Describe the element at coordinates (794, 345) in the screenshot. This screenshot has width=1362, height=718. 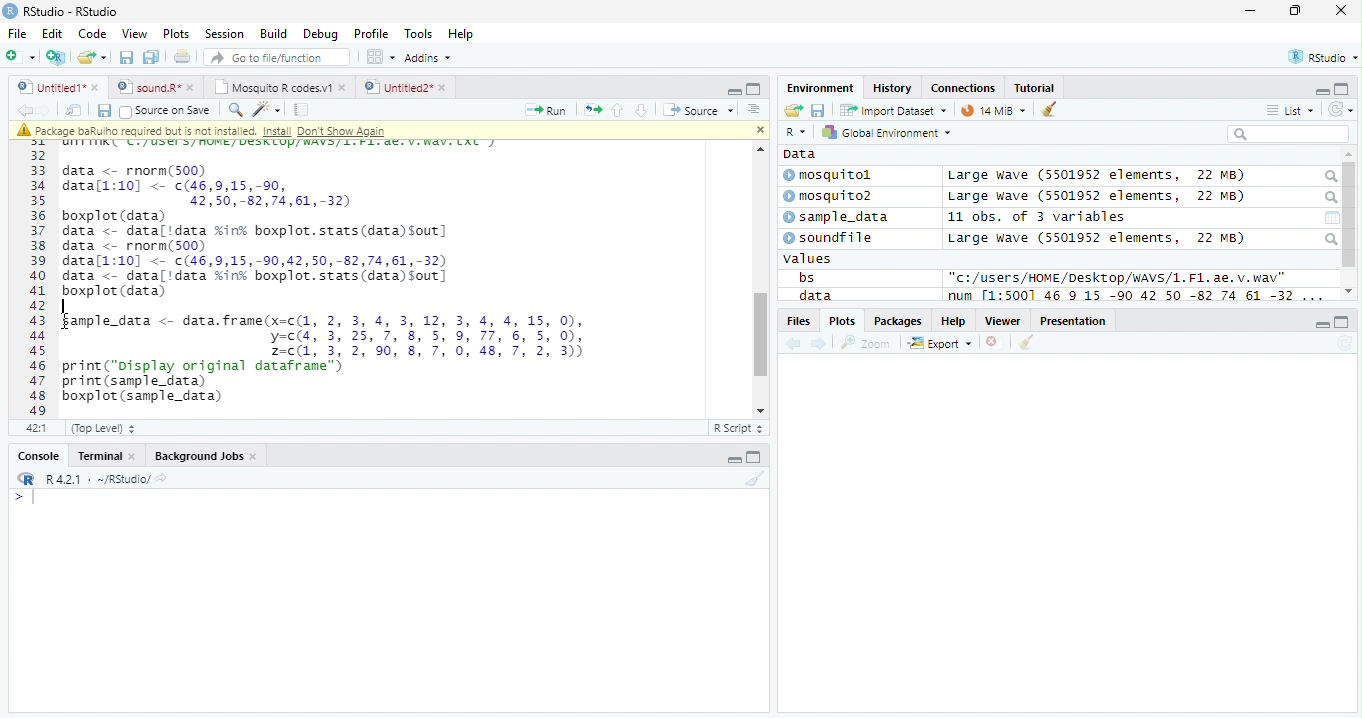
I see `Go backward` at that location.